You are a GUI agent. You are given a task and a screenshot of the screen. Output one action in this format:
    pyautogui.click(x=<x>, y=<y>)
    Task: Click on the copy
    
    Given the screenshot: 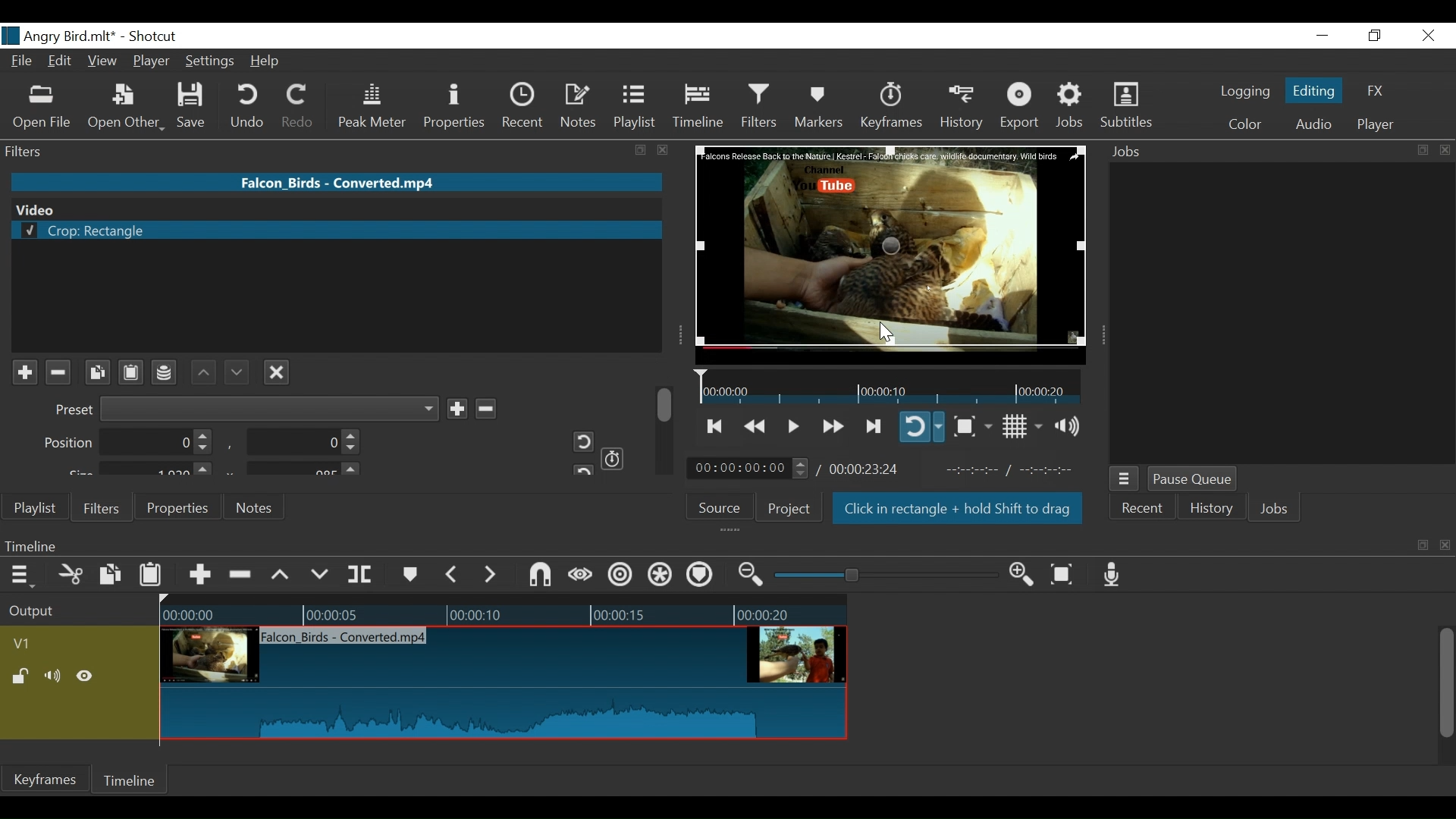 What is the action you would take?
    pyautogui.click(x=1423, y=545)
    